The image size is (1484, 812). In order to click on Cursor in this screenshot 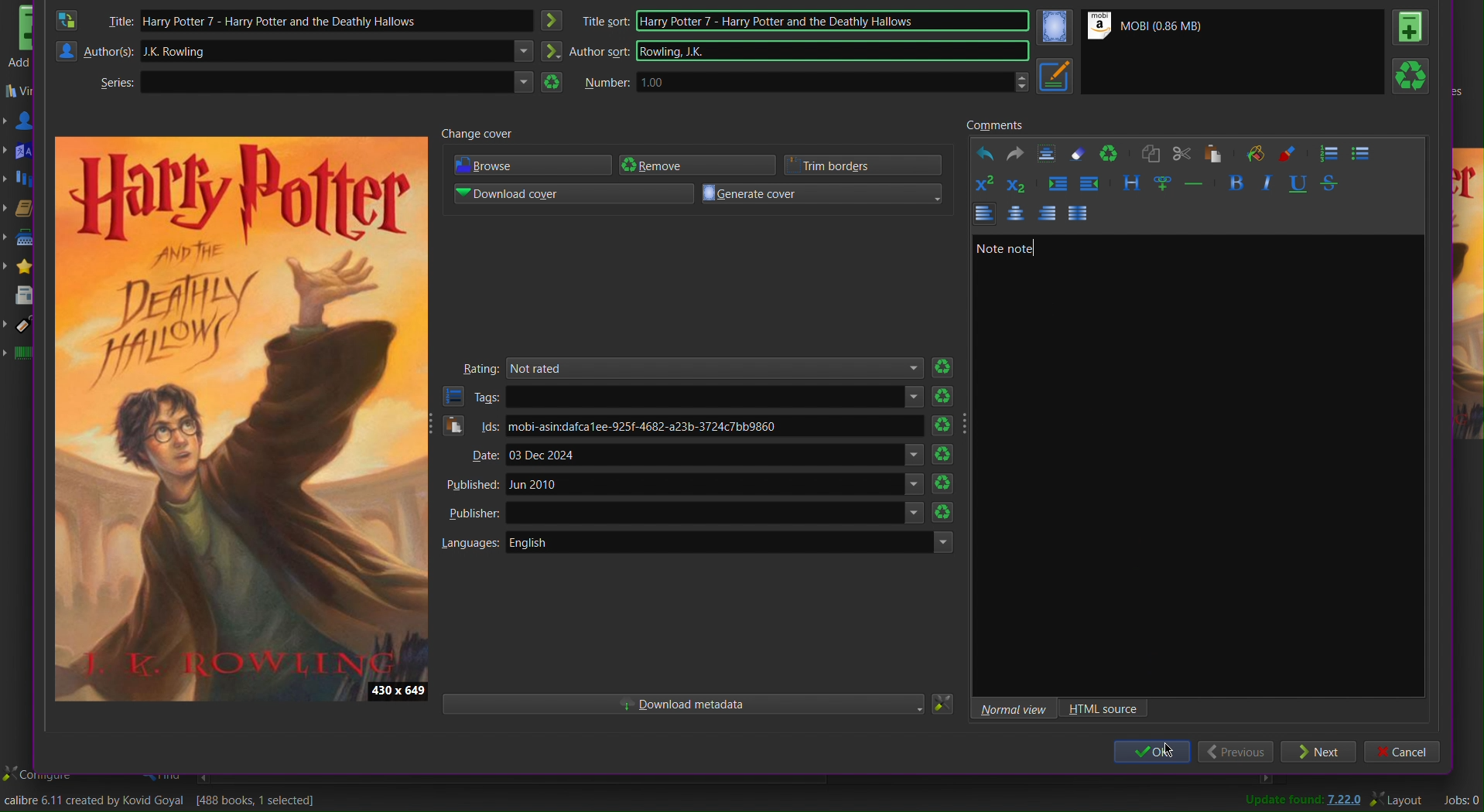, I will do `click(1170, 745)`.